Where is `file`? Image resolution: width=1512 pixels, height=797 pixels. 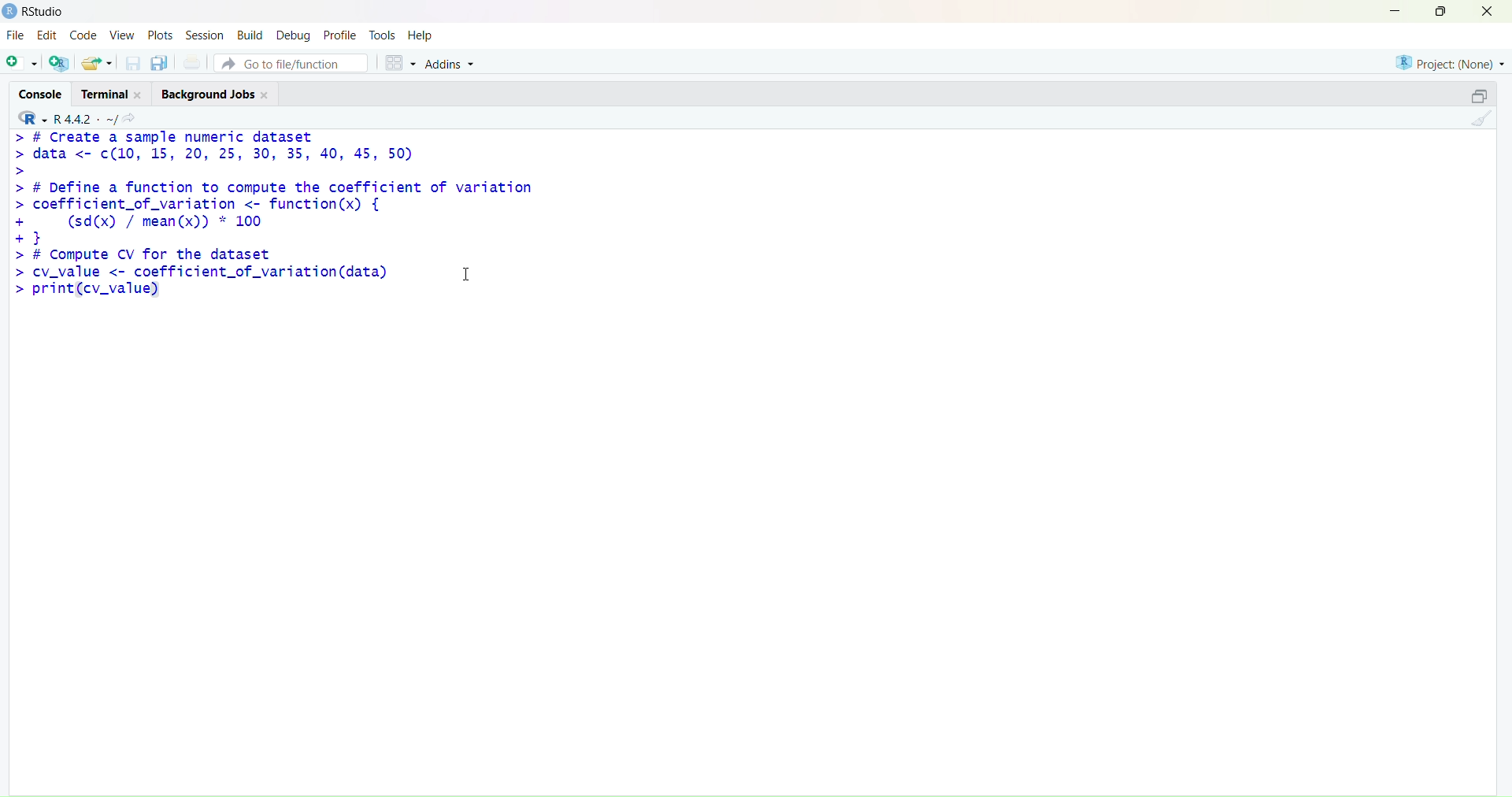
file is located at coordinates (14, 35).